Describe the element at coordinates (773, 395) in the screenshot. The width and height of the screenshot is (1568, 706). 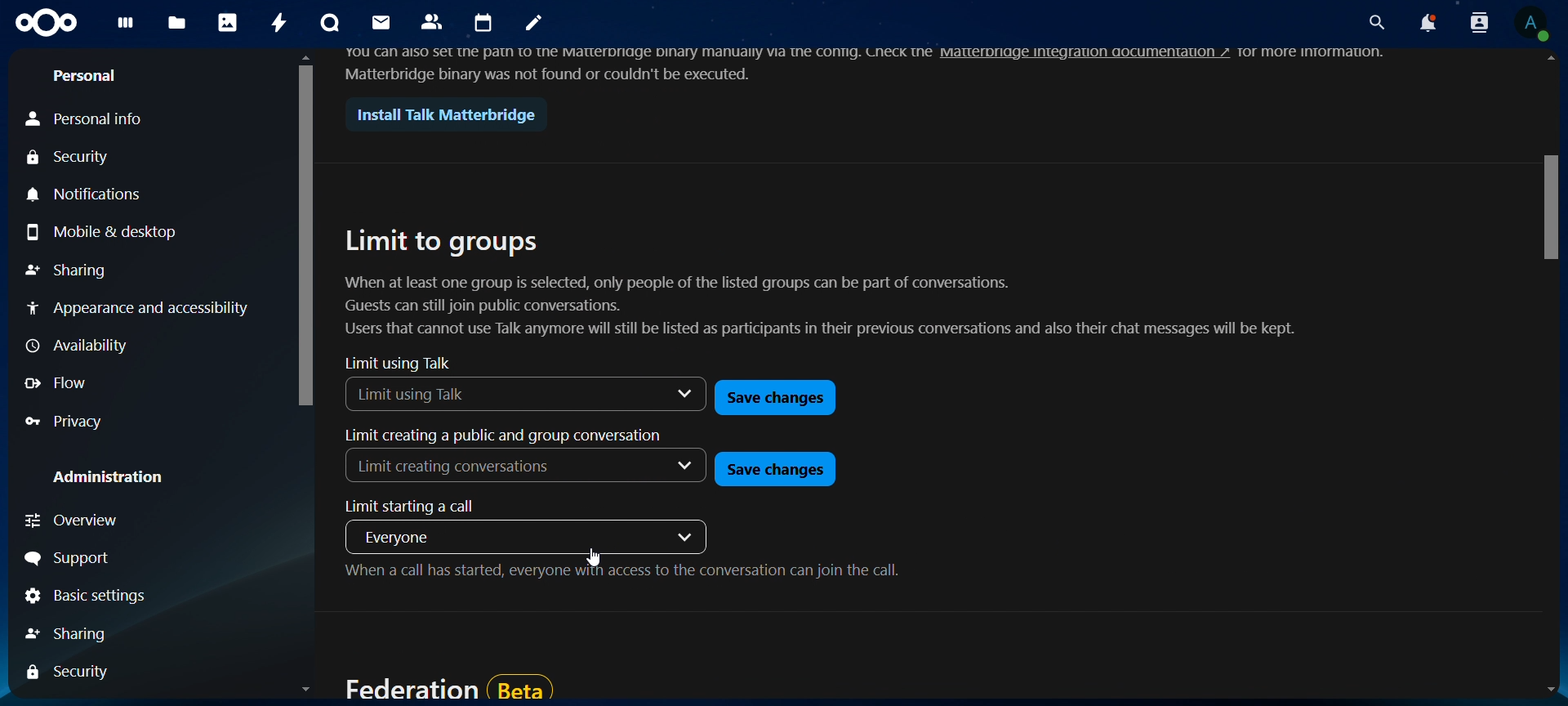
I see `save changes` at that location.